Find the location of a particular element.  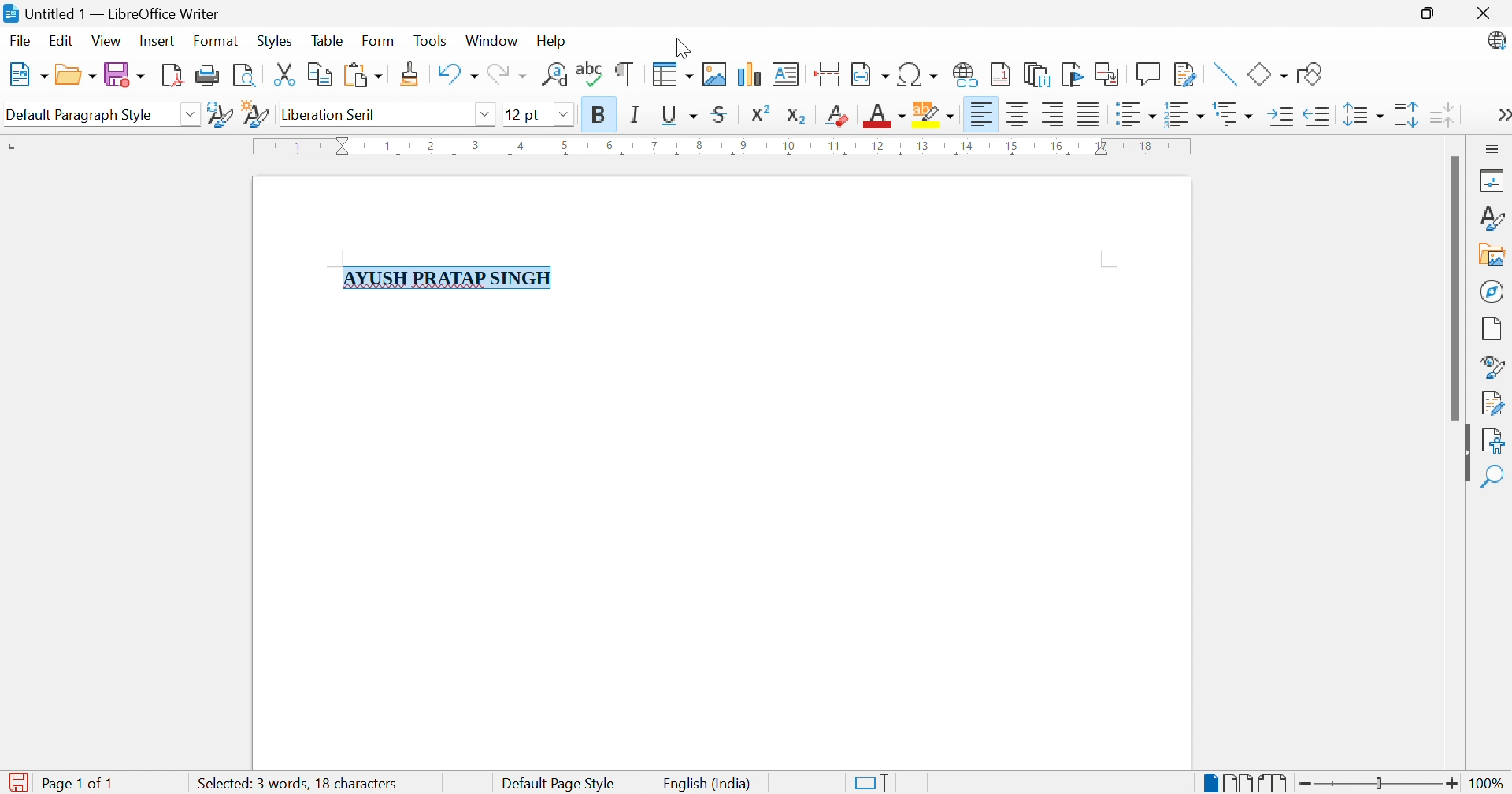

Toggle Print Preview is located at coordinates (245, 76).